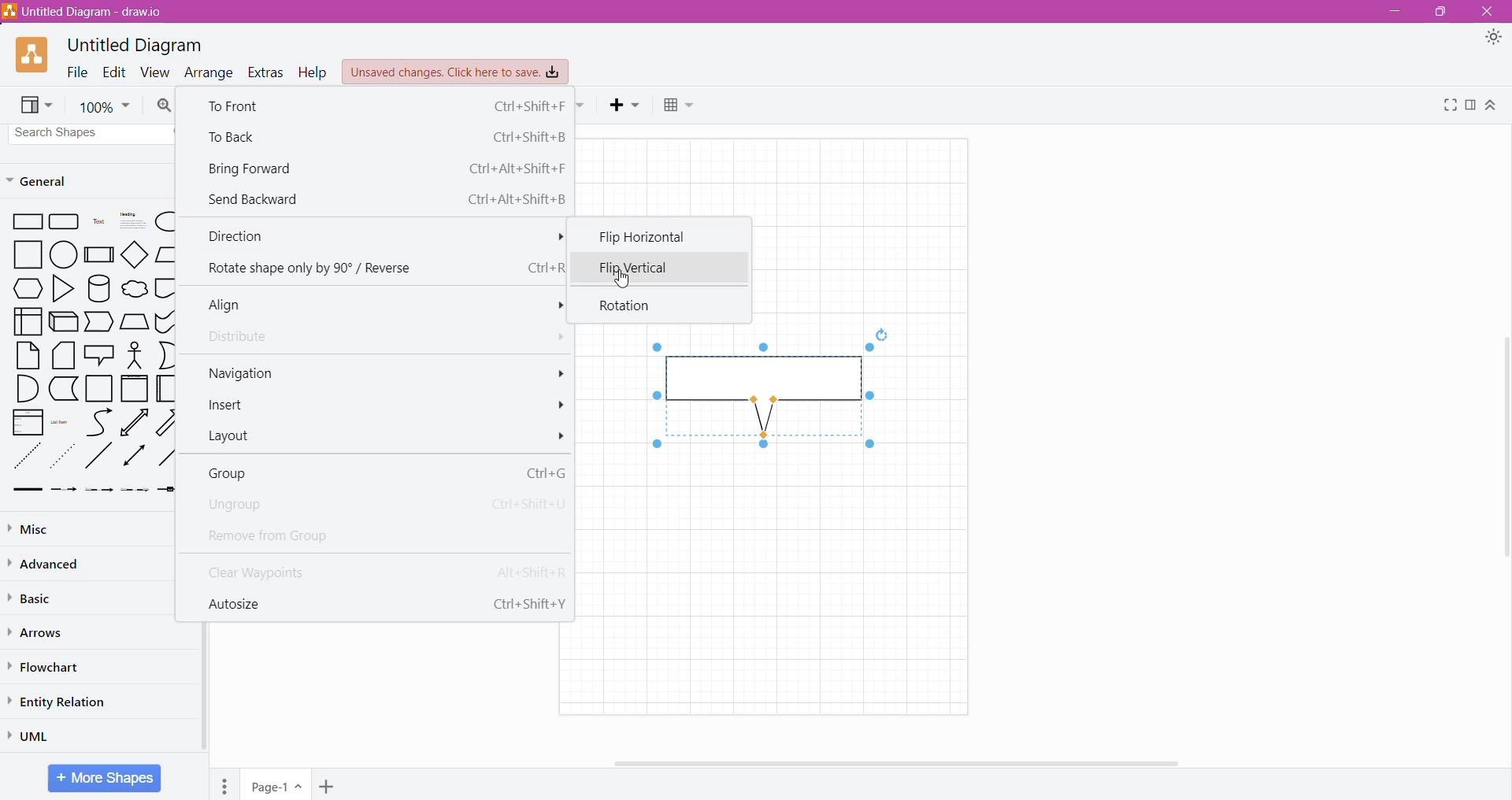 This screenshot has width=1512, height=800. What do you see at coordinates (165, 254) in the screenshot?
I see `Parallelogram` at bounding box center [165, 254].